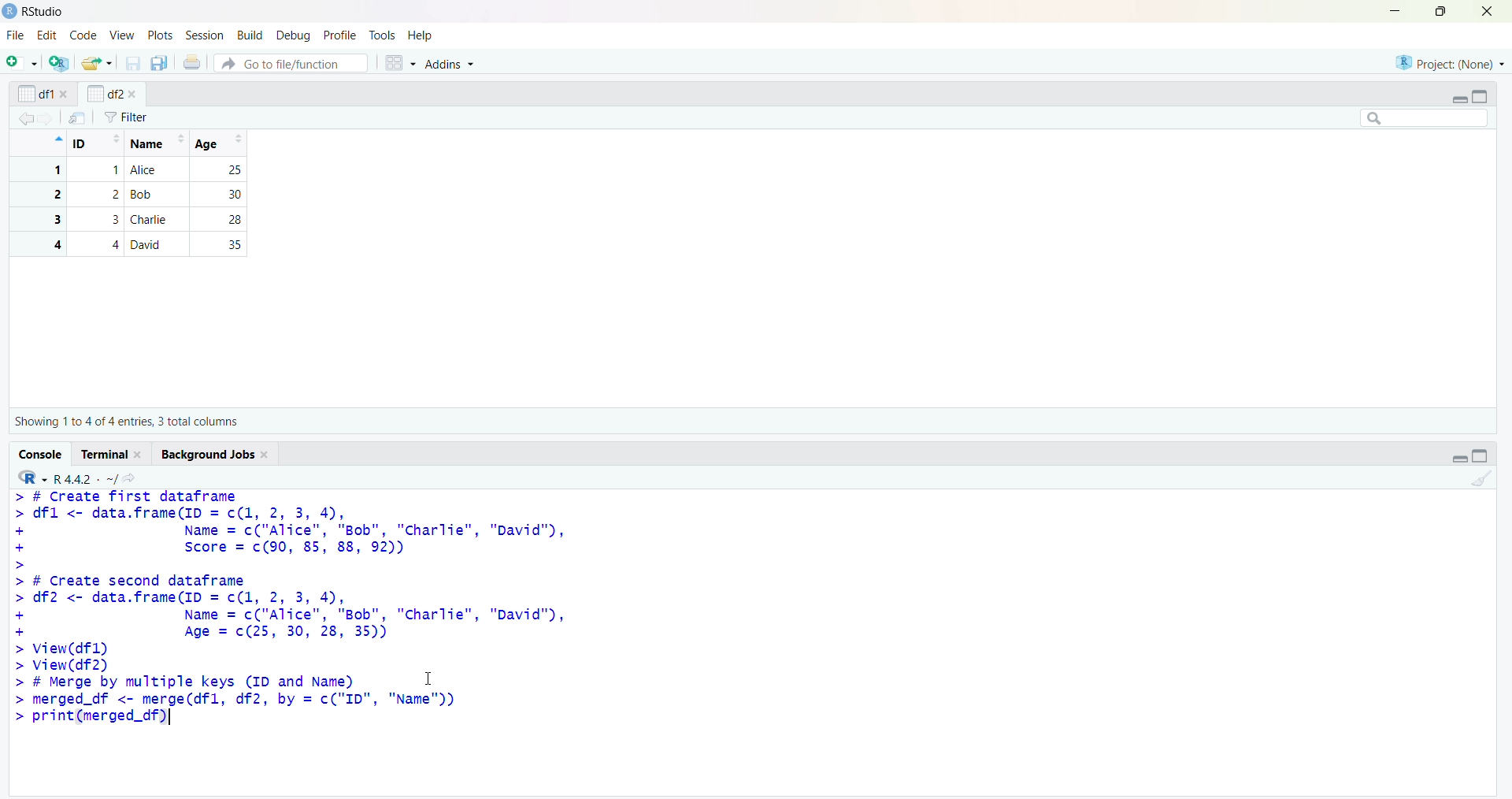 This screenshot has height=799, width=1512. Describe the element at coordinates (1459, 459) in the screenshot. I see `Collapse/expand ` at that location.